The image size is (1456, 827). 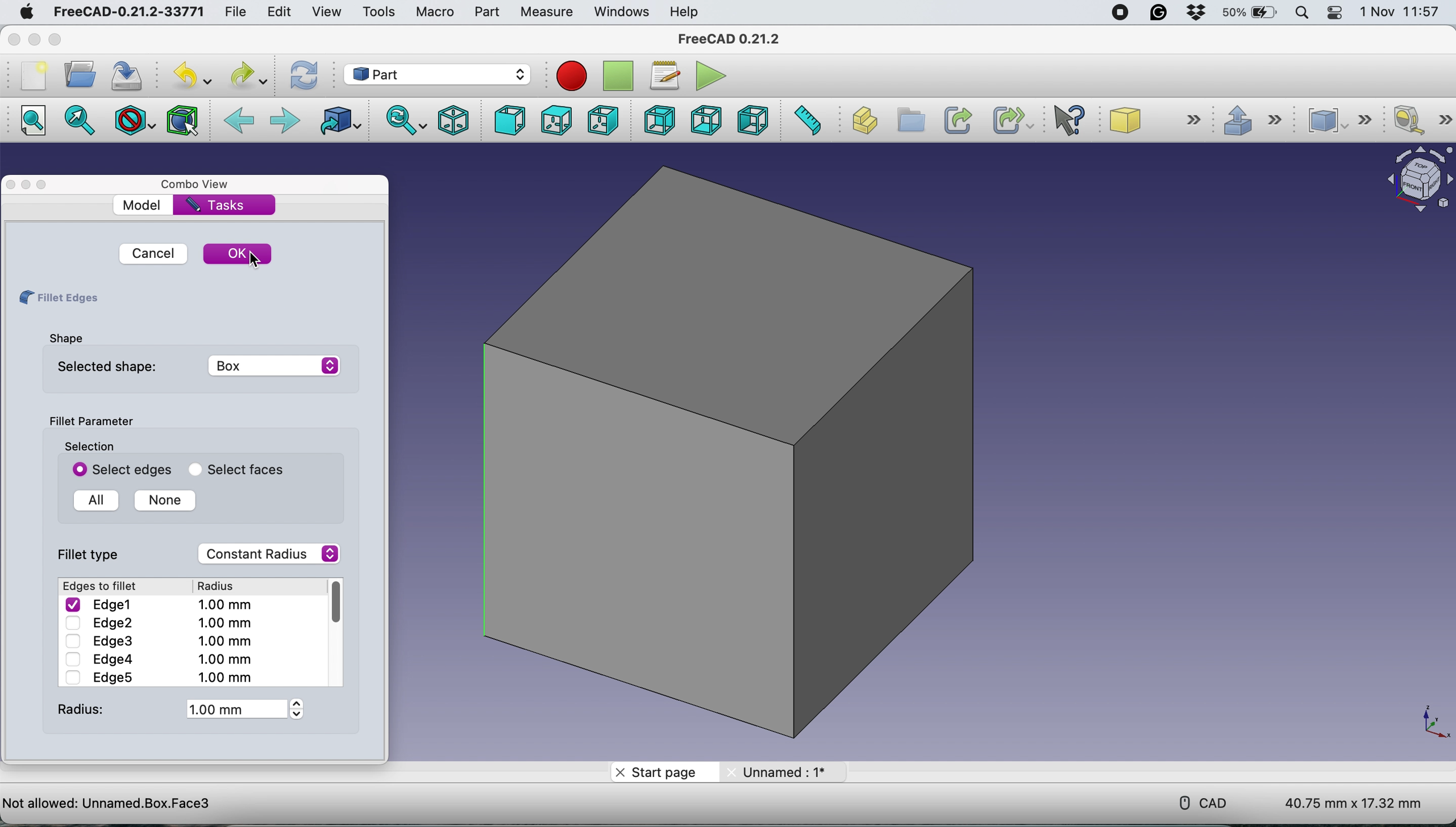 I want to click on measure, so click(x=546, y=12).